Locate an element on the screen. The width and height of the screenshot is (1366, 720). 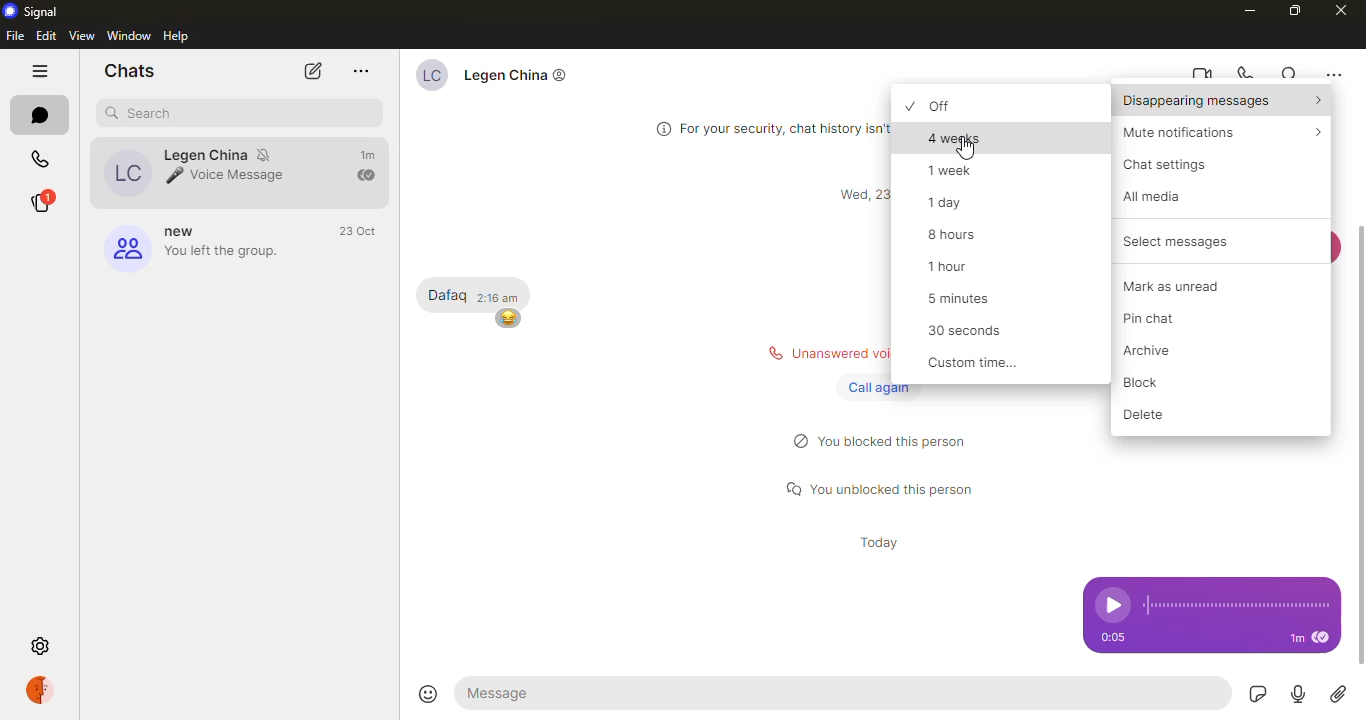
8 hours is located at coordinates (958, 235).